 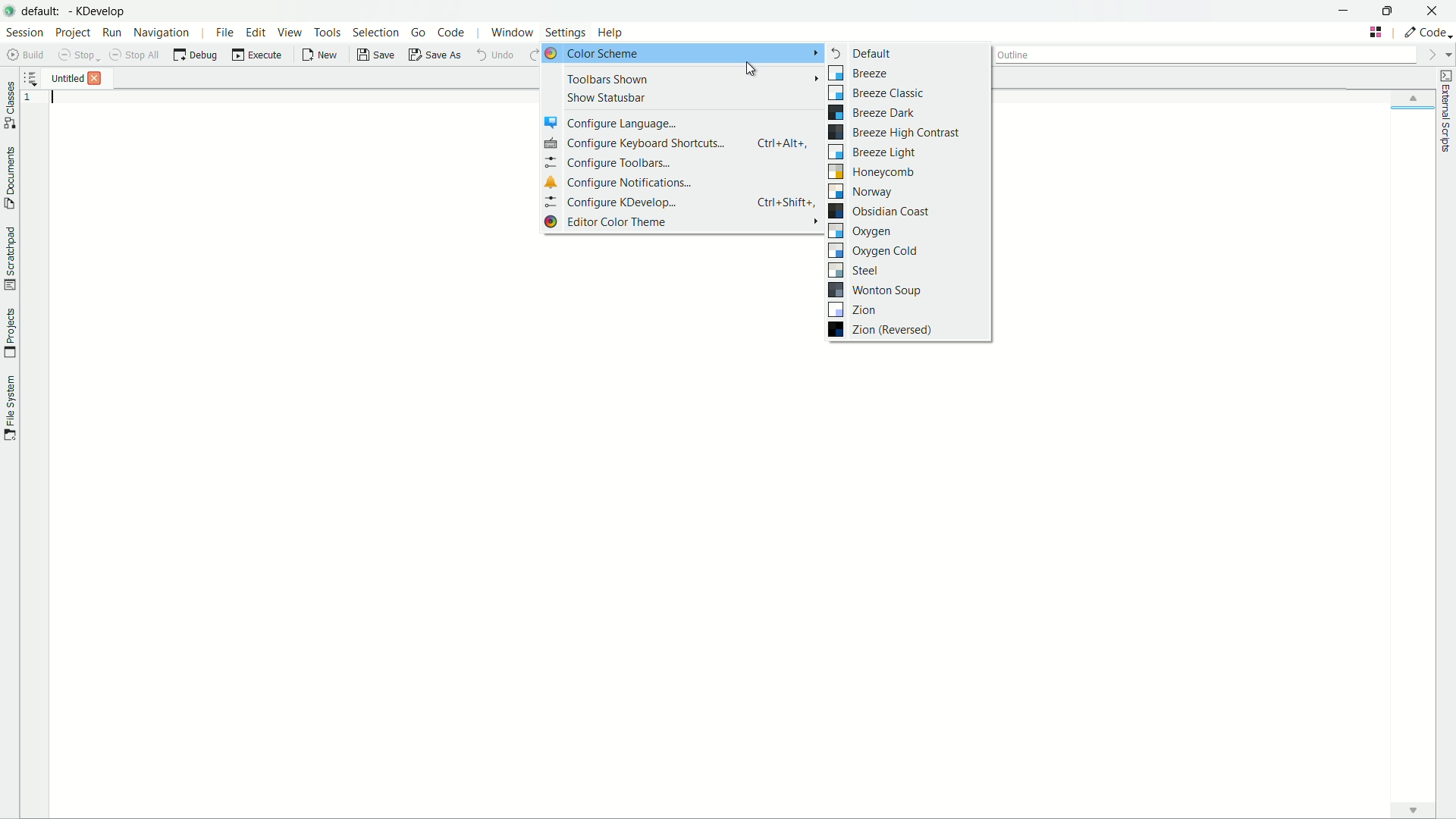 What do you see at coordinates (568, 30) in the screenshot?
I see `settings` at bounding box center [568, 30].